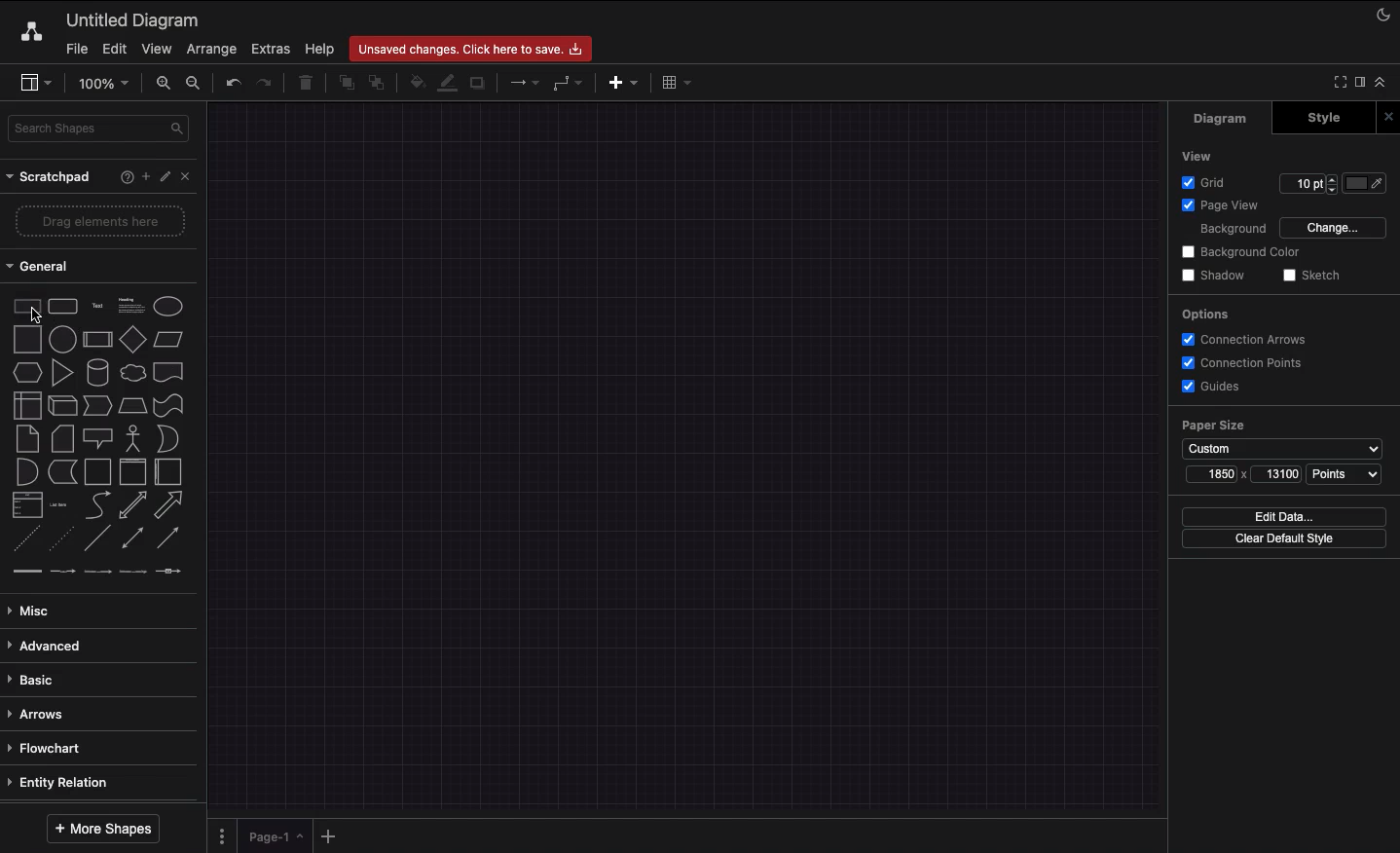  What do you see at coordinates (103, 829) in the screenshot?
I see `More shapes` at bounding box center [103, 829].